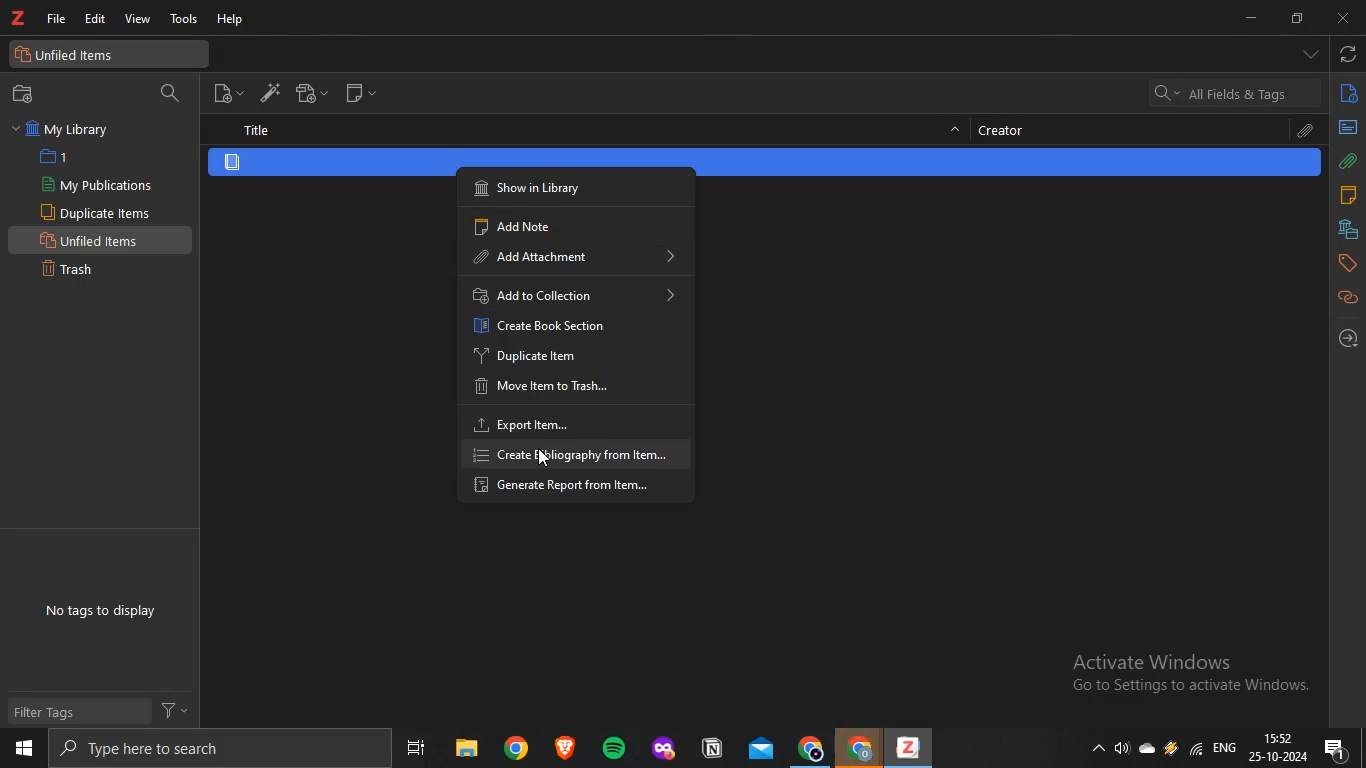 Image resolution: width=1366 pixels, height=768 pixels. I want to click on date, so click(1279, 757).